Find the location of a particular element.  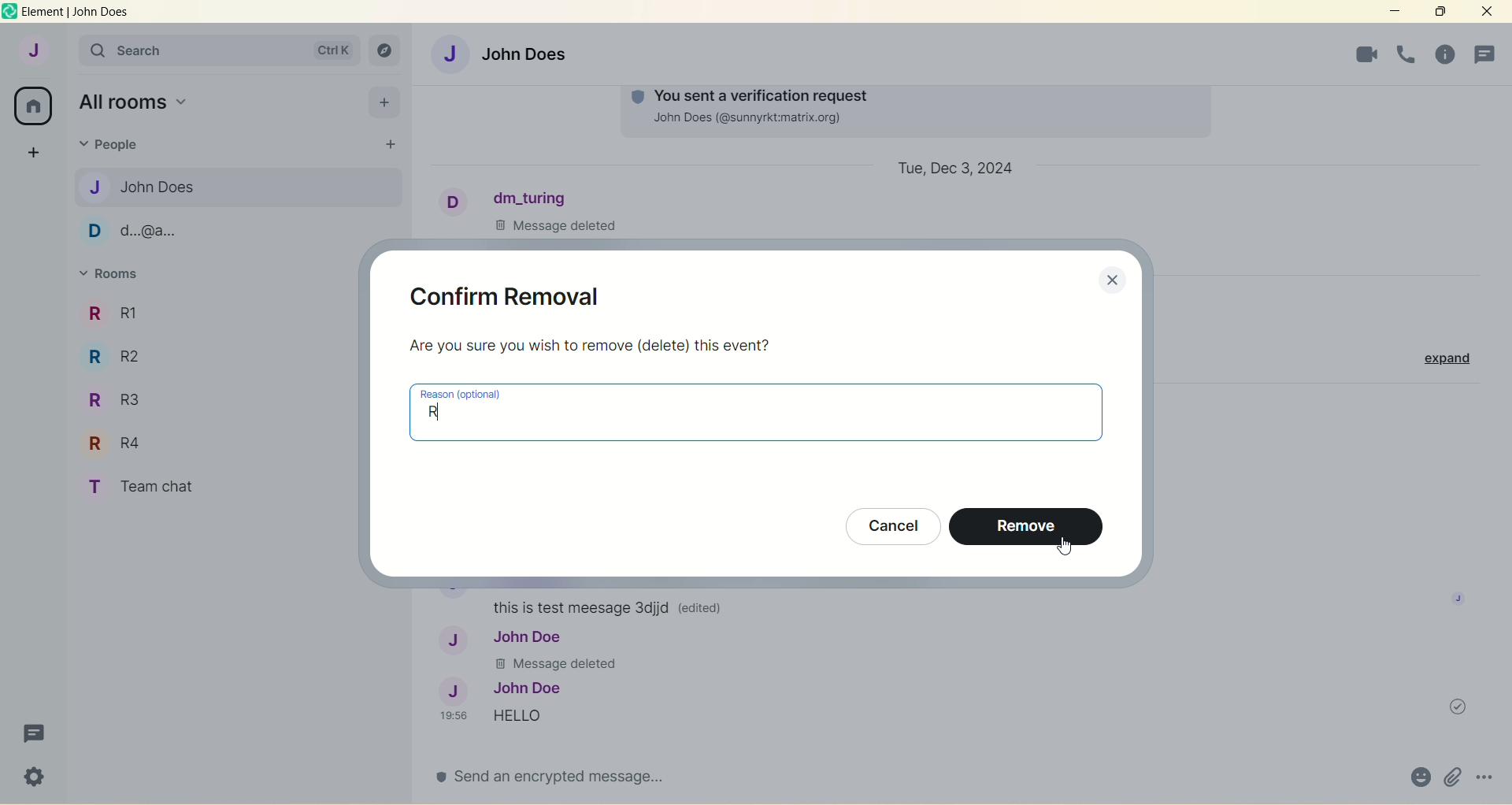

vertical scroll bar is located at coordinates (1503, 418).